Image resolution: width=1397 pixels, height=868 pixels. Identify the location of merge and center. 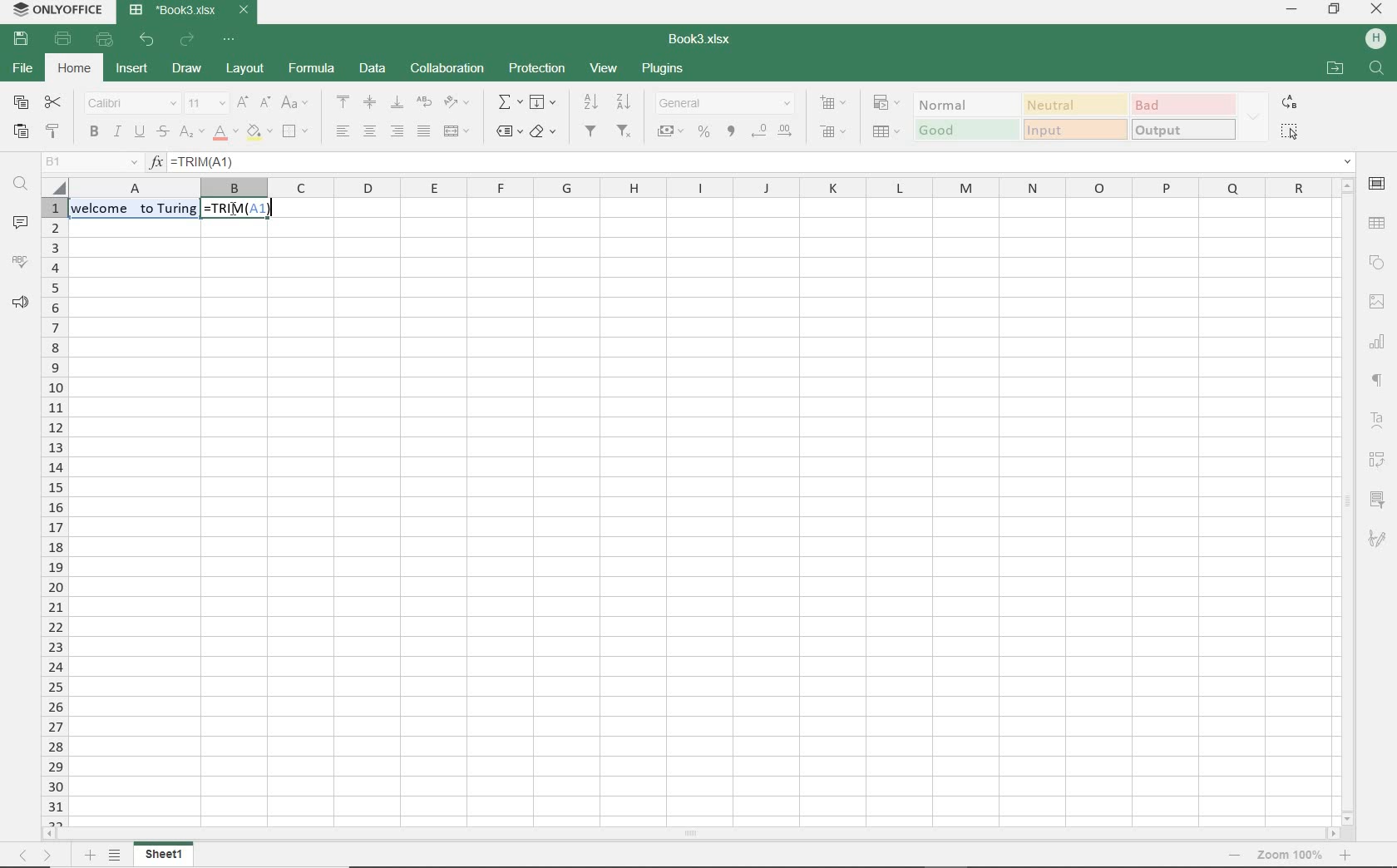
(457, 132).